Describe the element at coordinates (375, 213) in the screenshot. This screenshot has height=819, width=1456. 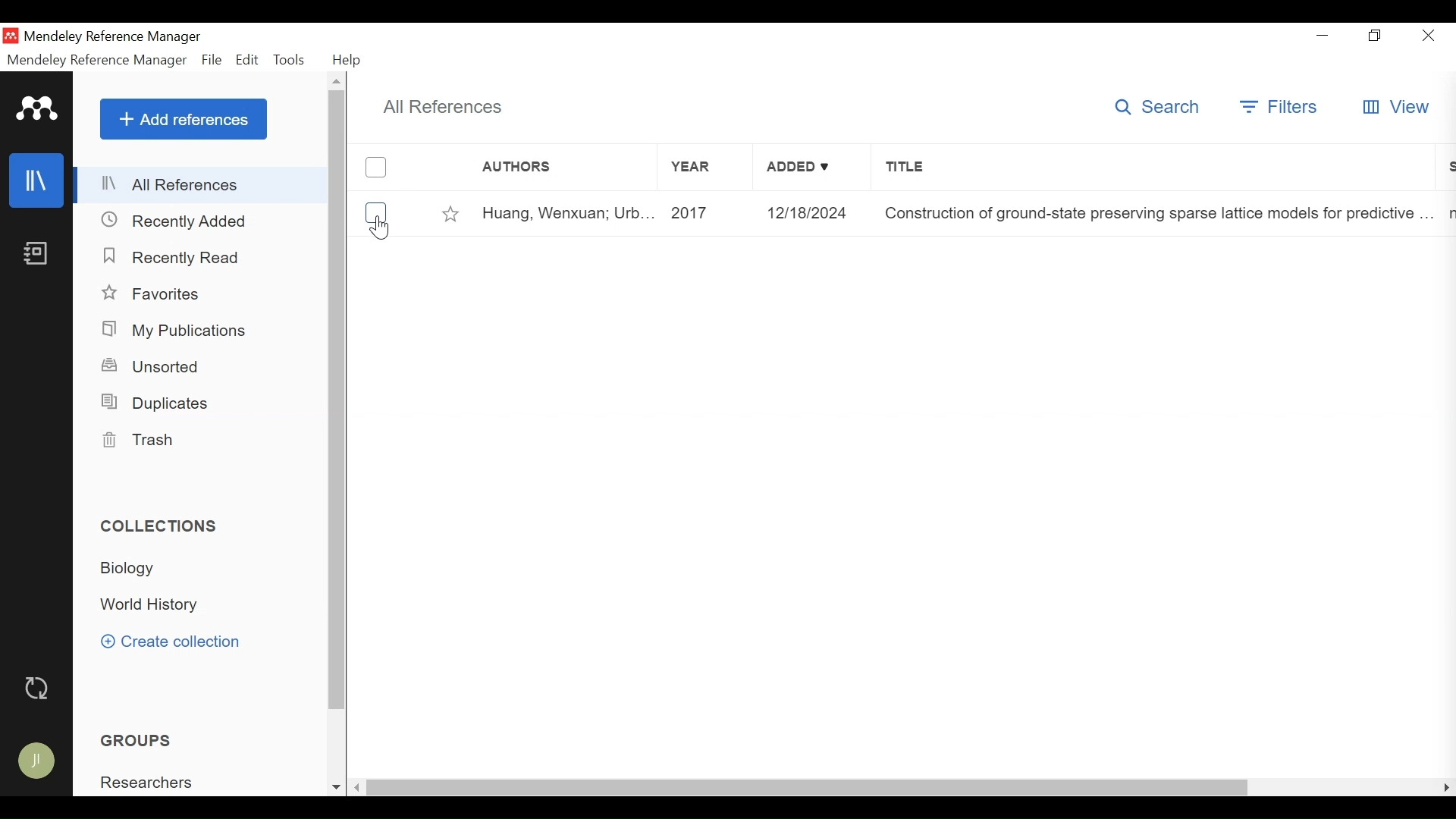
I see `(un)select` at that location.